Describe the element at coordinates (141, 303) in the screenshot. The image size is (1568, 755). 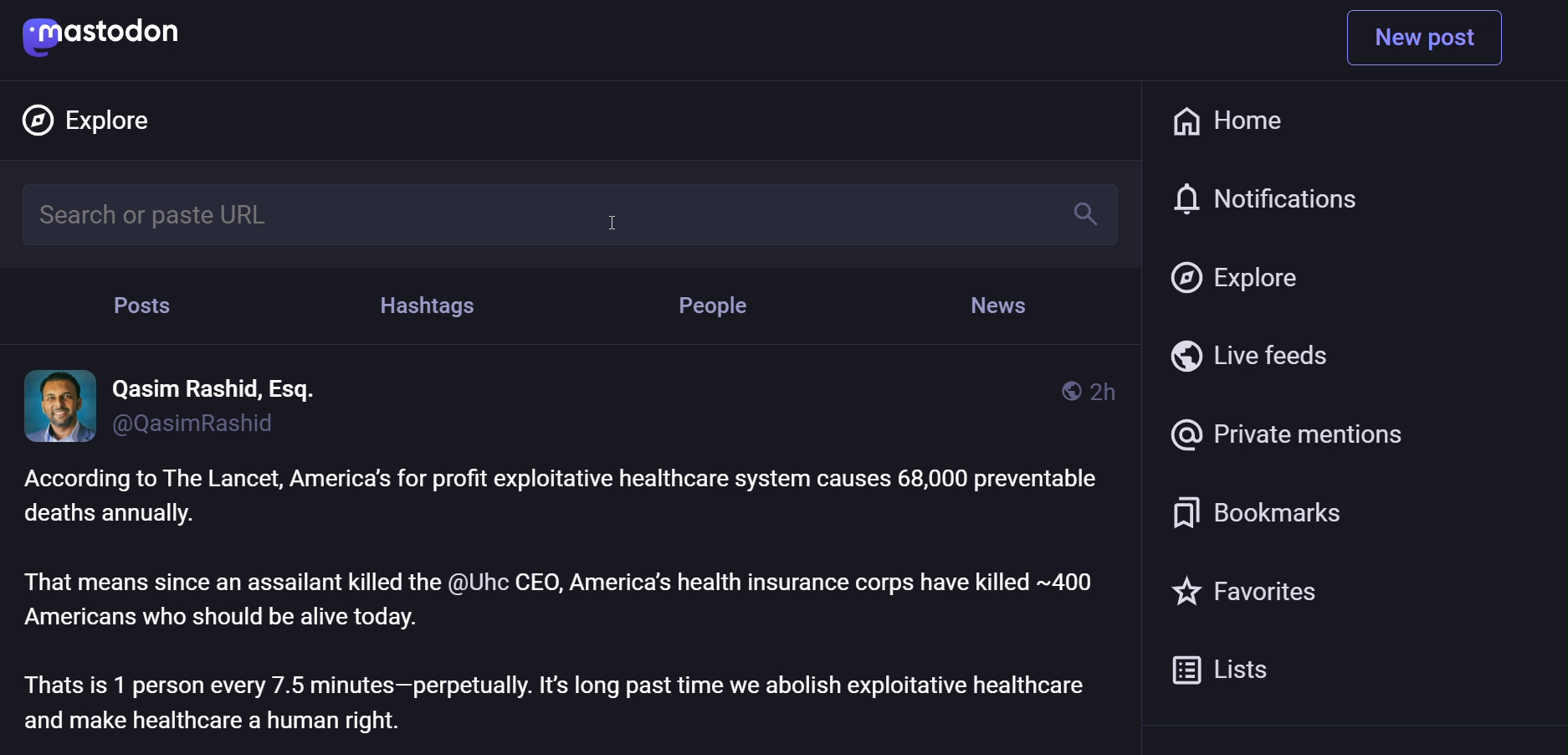
I see `post` at that location.